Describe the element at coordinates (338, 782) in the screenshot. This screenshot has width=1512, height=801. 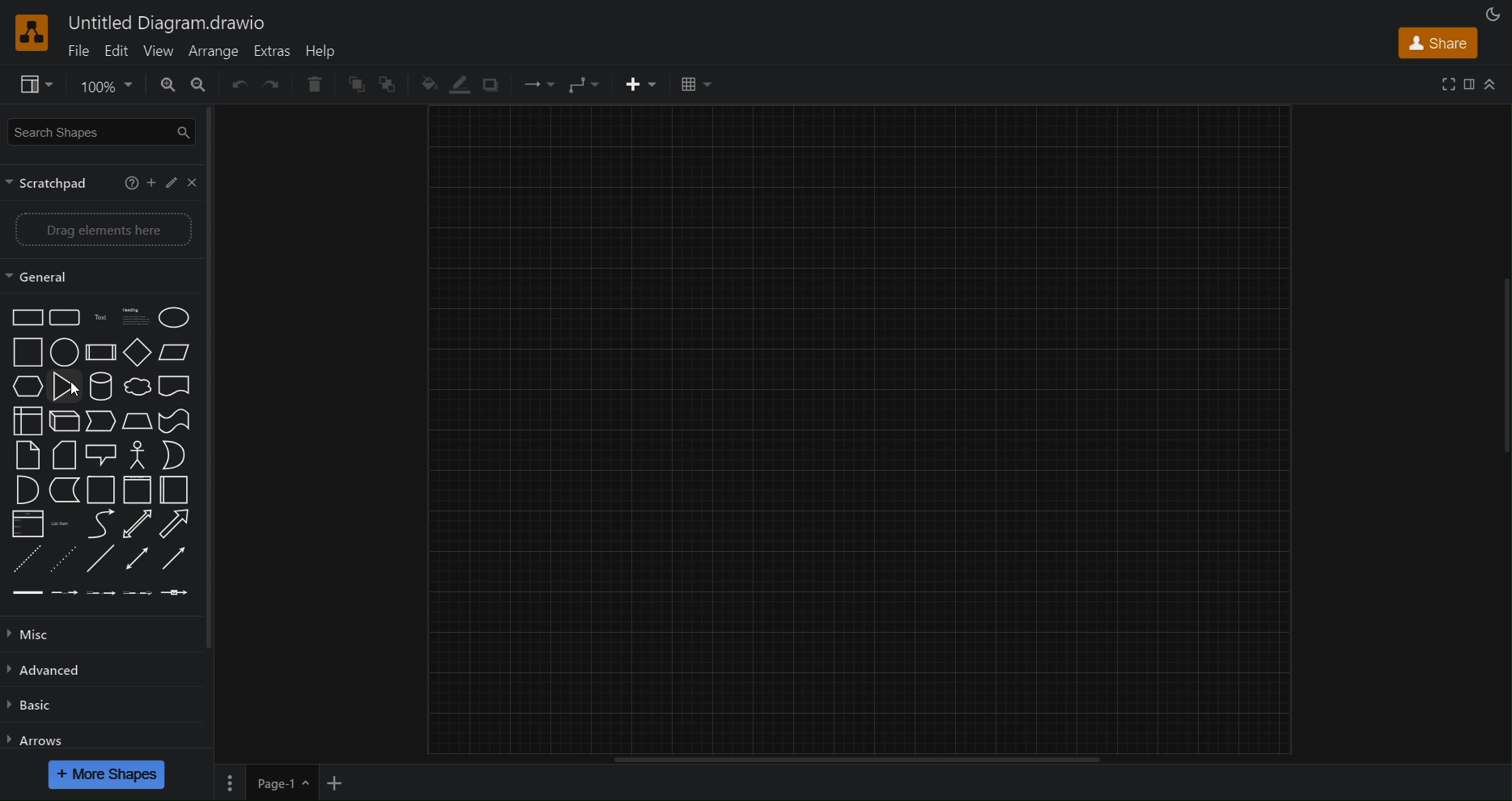
I see `Add Page` at that location.